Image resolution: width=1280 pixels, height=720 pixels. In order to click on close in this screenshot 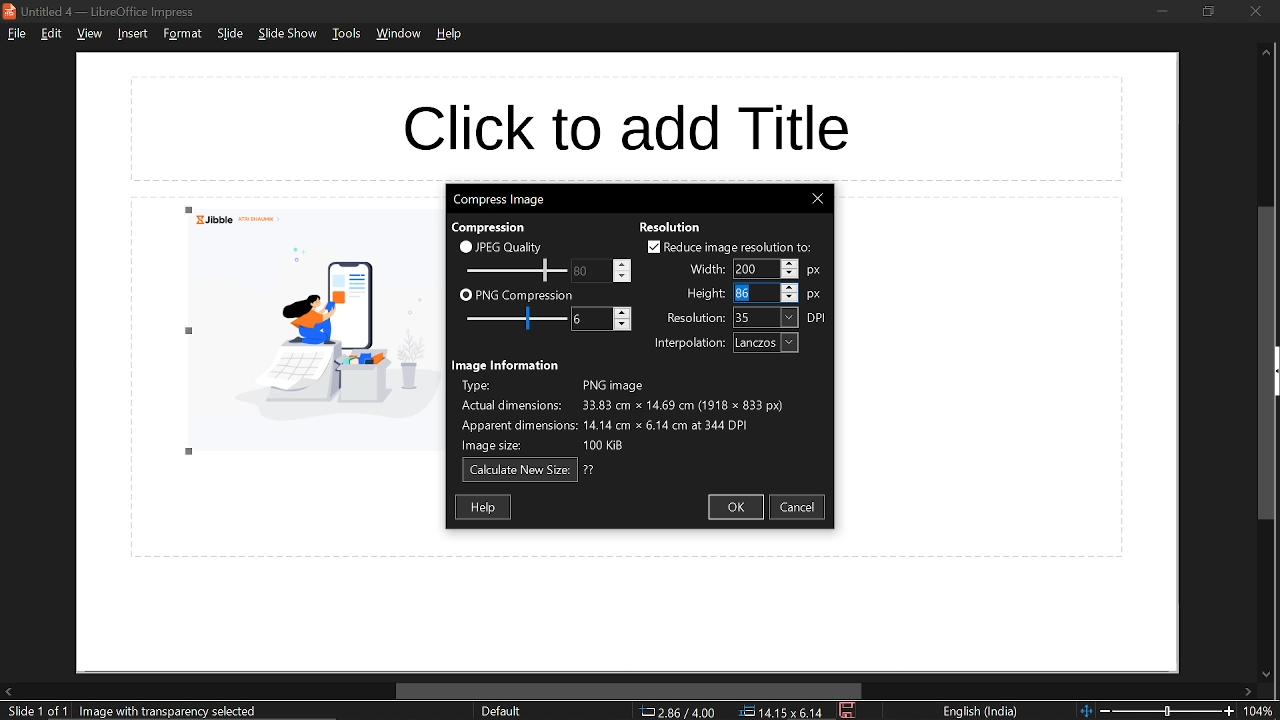, I will do `click(1255, 11)`.